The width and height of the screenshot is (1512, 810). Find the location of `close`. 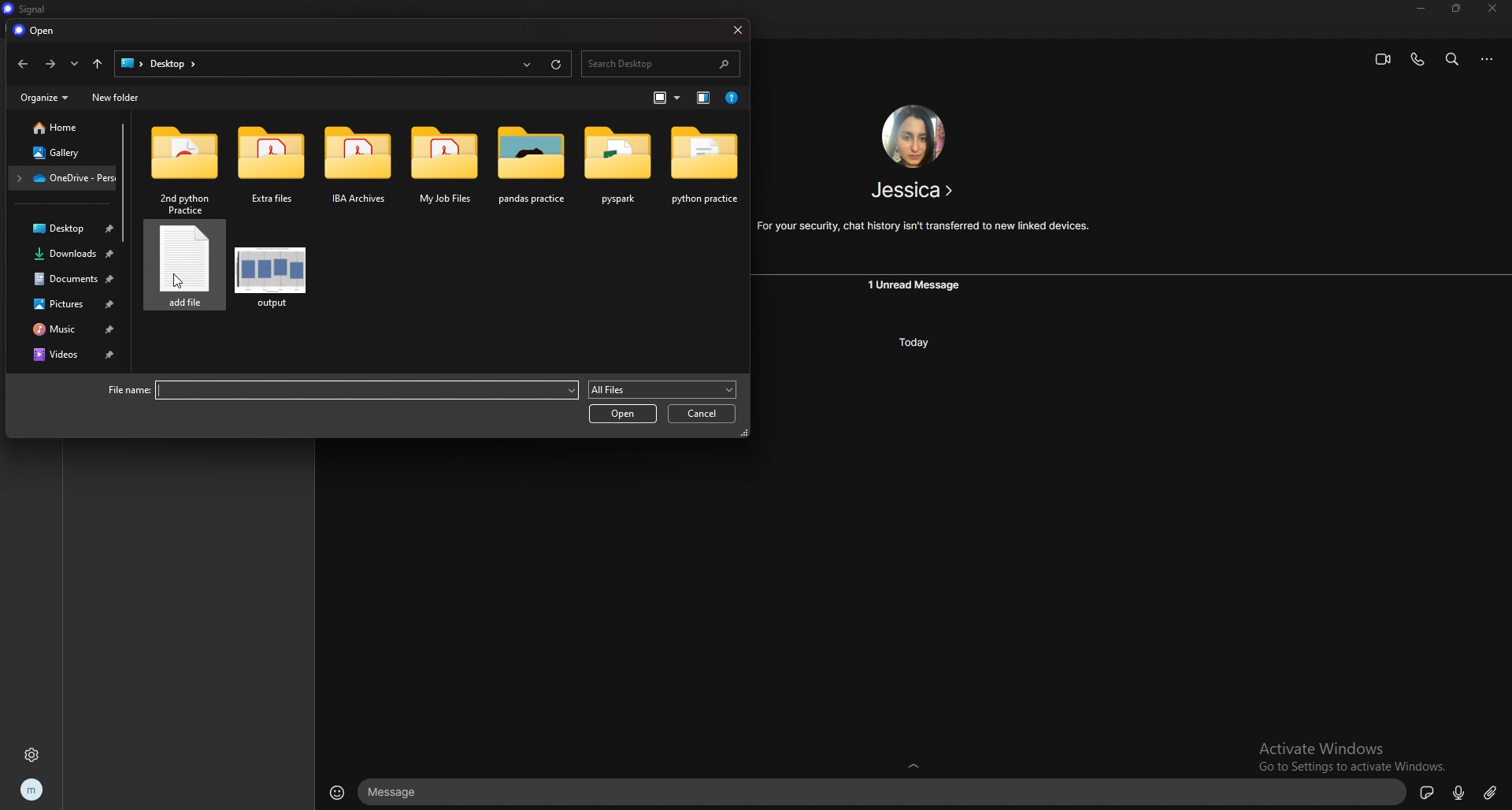

close is located at coordinates (736, 29).